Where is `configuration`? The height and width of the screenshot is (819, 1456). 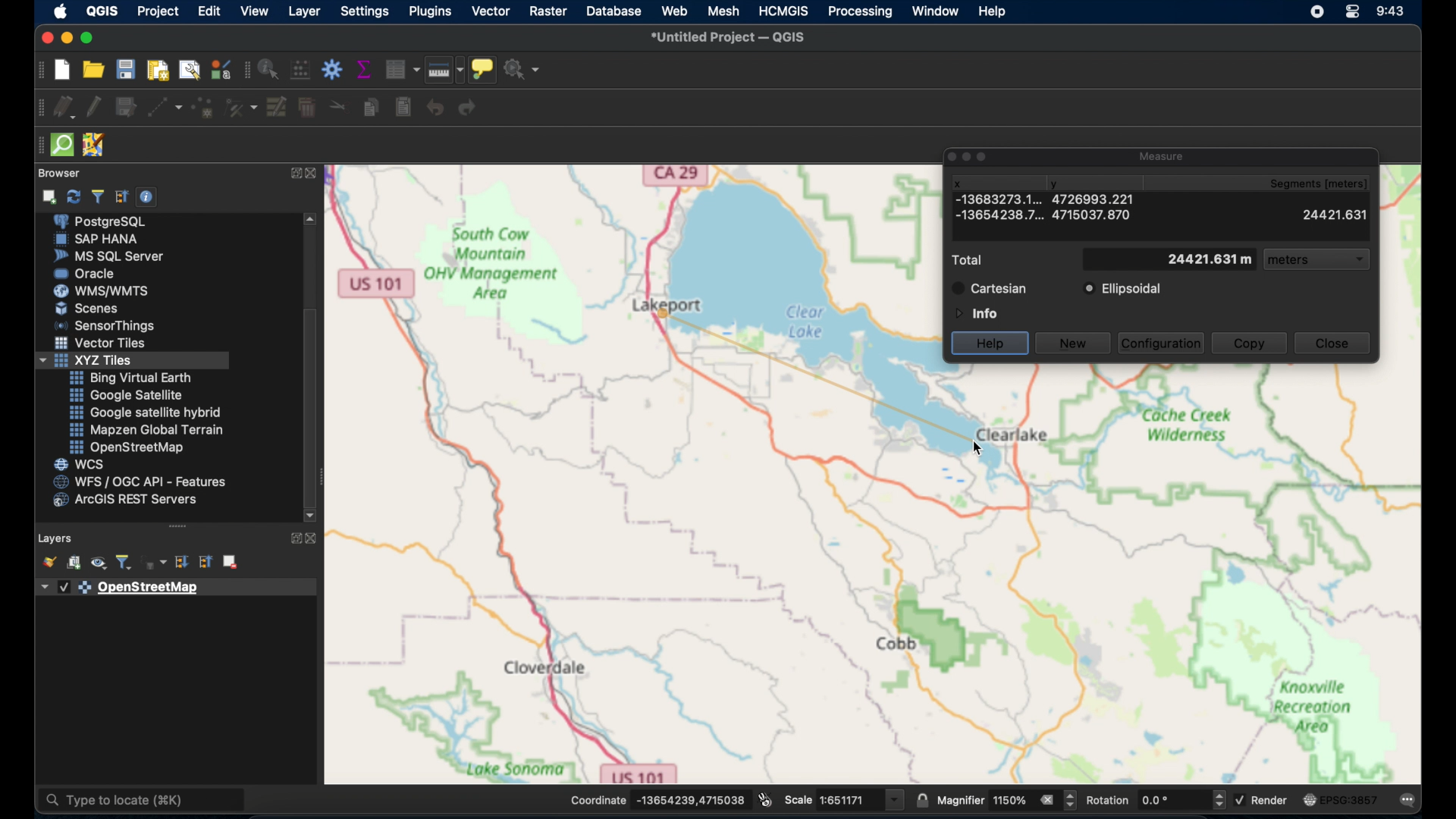
configuration is located at coordinates (1163, 342).